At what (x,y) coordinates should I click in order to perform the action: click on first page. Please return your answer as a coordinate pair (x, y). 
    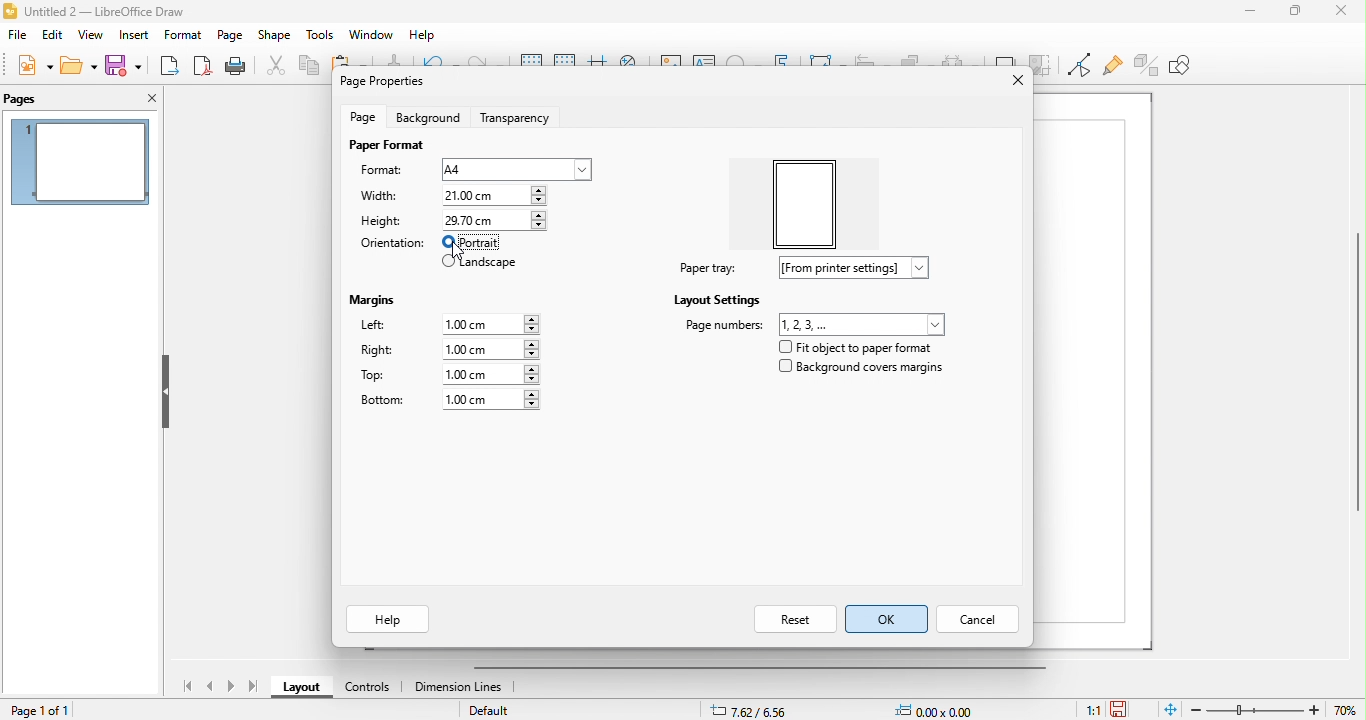
    Looking at the image, I should click on (184, 684).